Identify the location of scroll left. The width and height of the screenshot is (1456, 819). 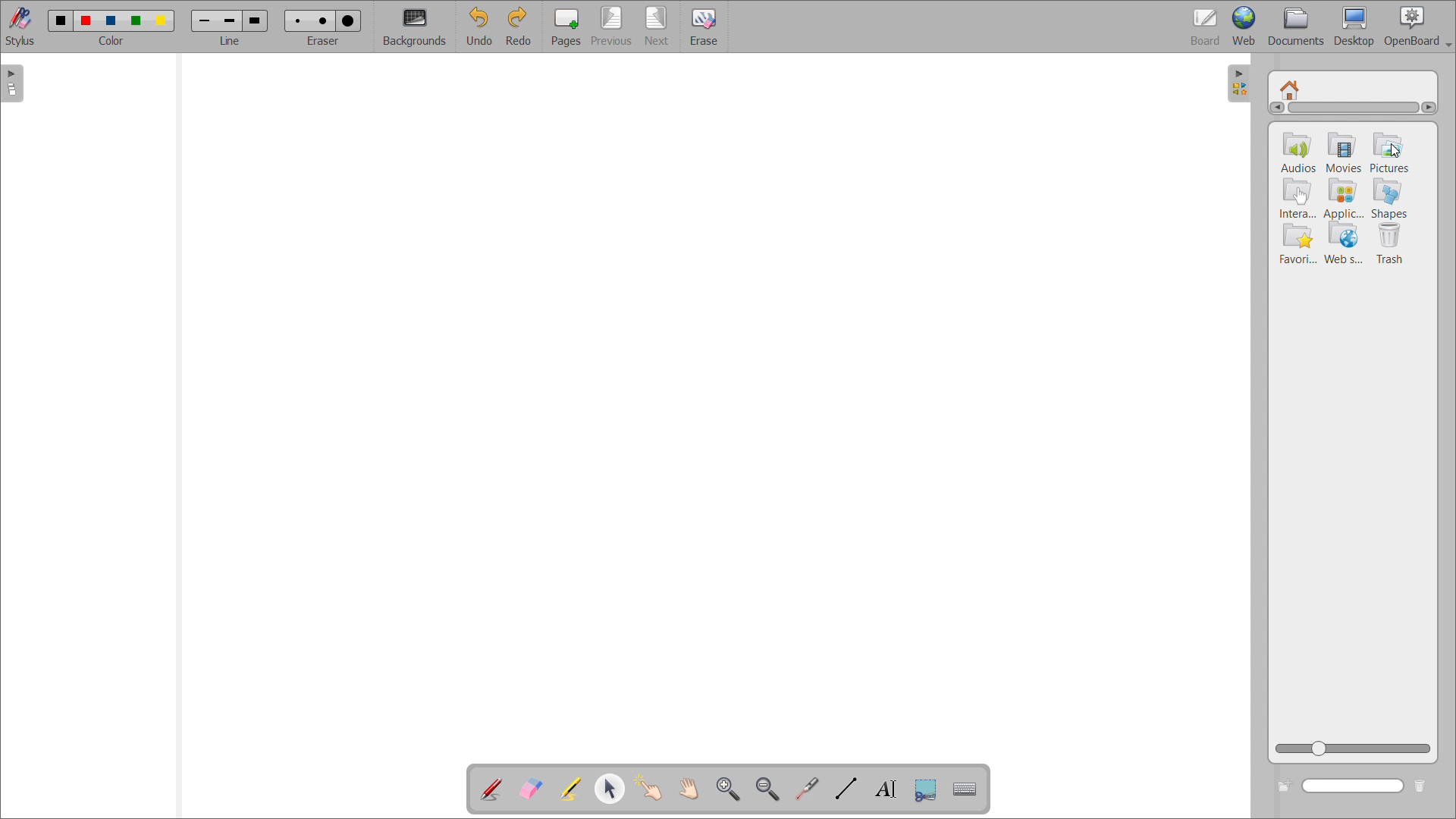
(1276, 107).